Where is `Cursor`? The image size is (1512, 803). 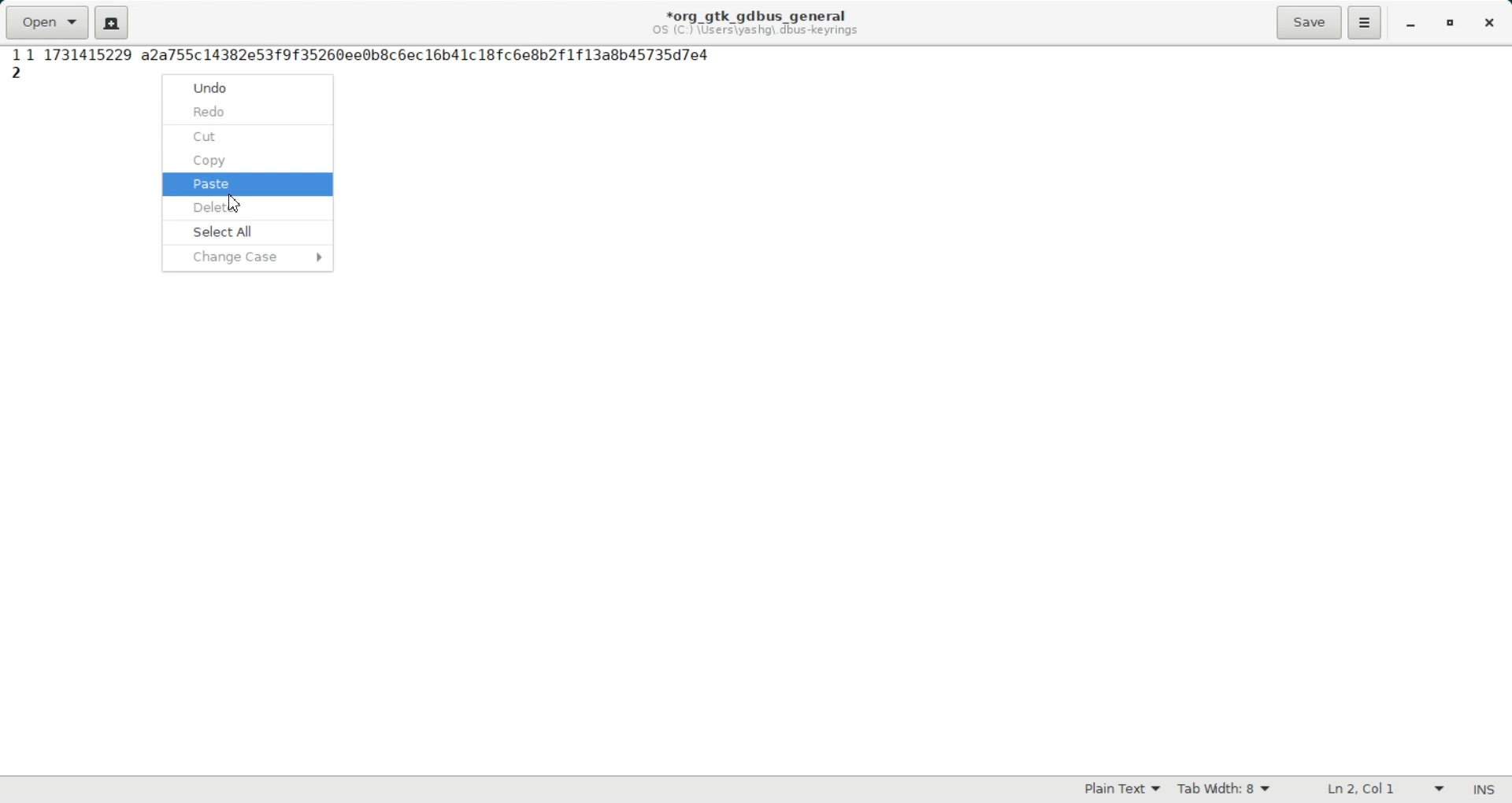
Cursor is located at coordinates (234, 202).